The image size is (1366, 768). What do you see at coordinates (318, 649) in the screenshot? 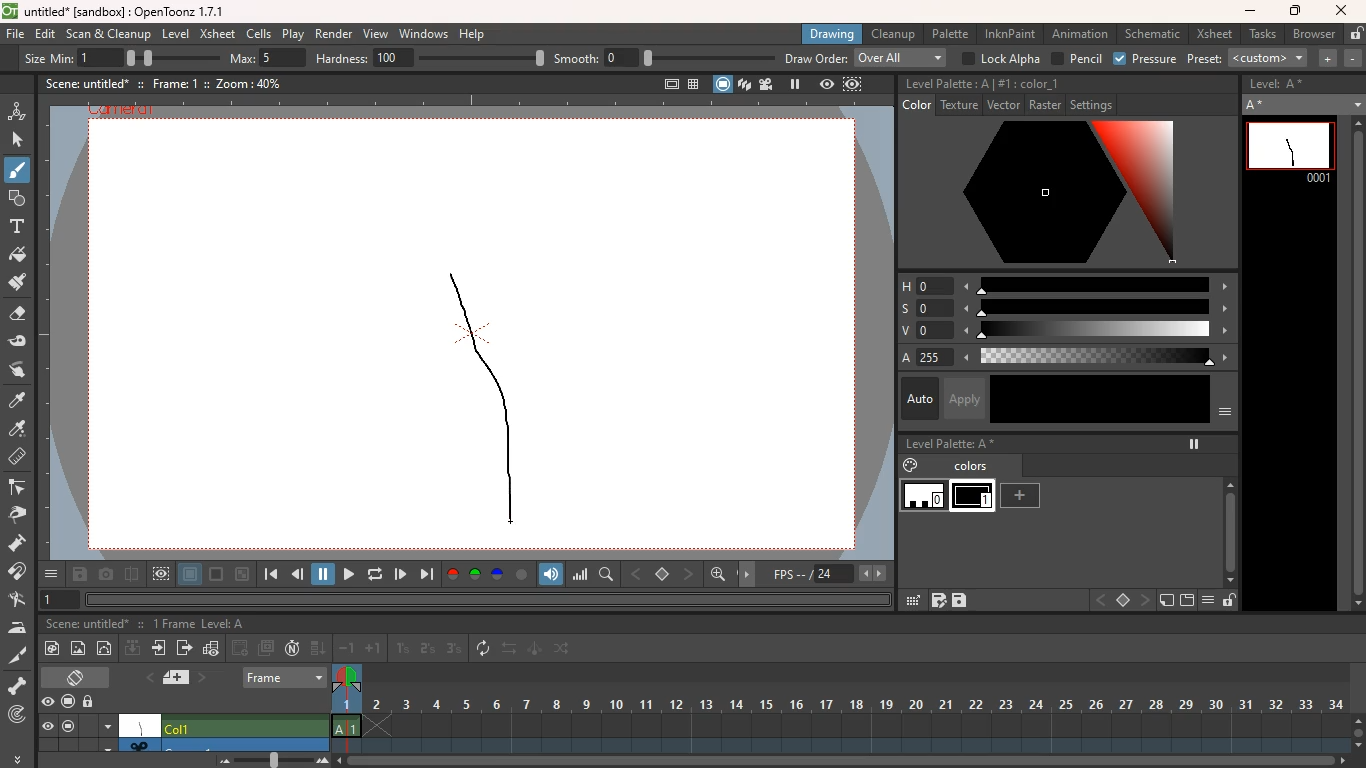
I see `down` at bounding box center [318, 649].